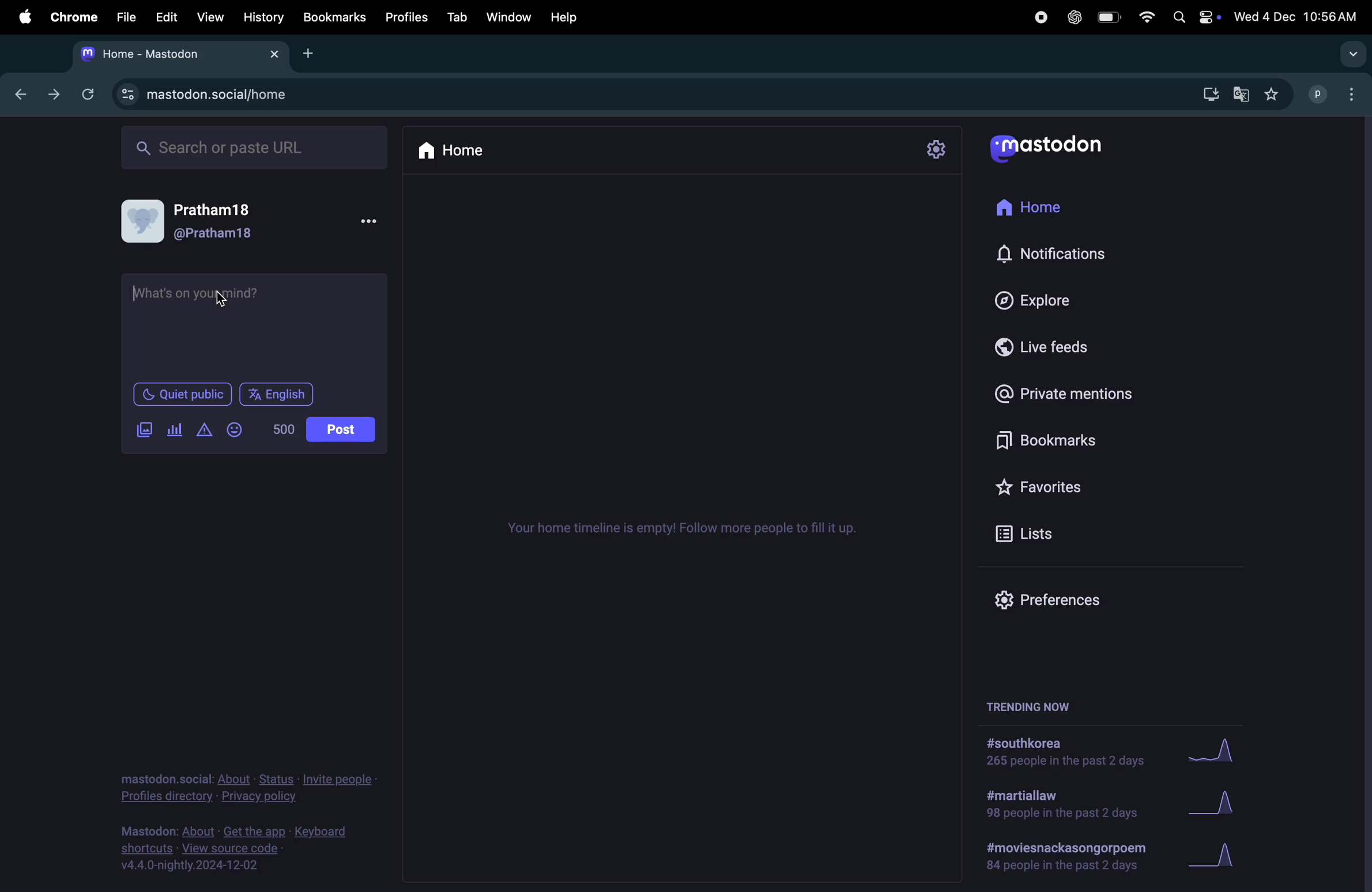 Image resolution: width=1372 pixels, height=892 pixels. Describe the element at coordinates (1061, 803) in the screenshot. I see `#martial law` at that location.